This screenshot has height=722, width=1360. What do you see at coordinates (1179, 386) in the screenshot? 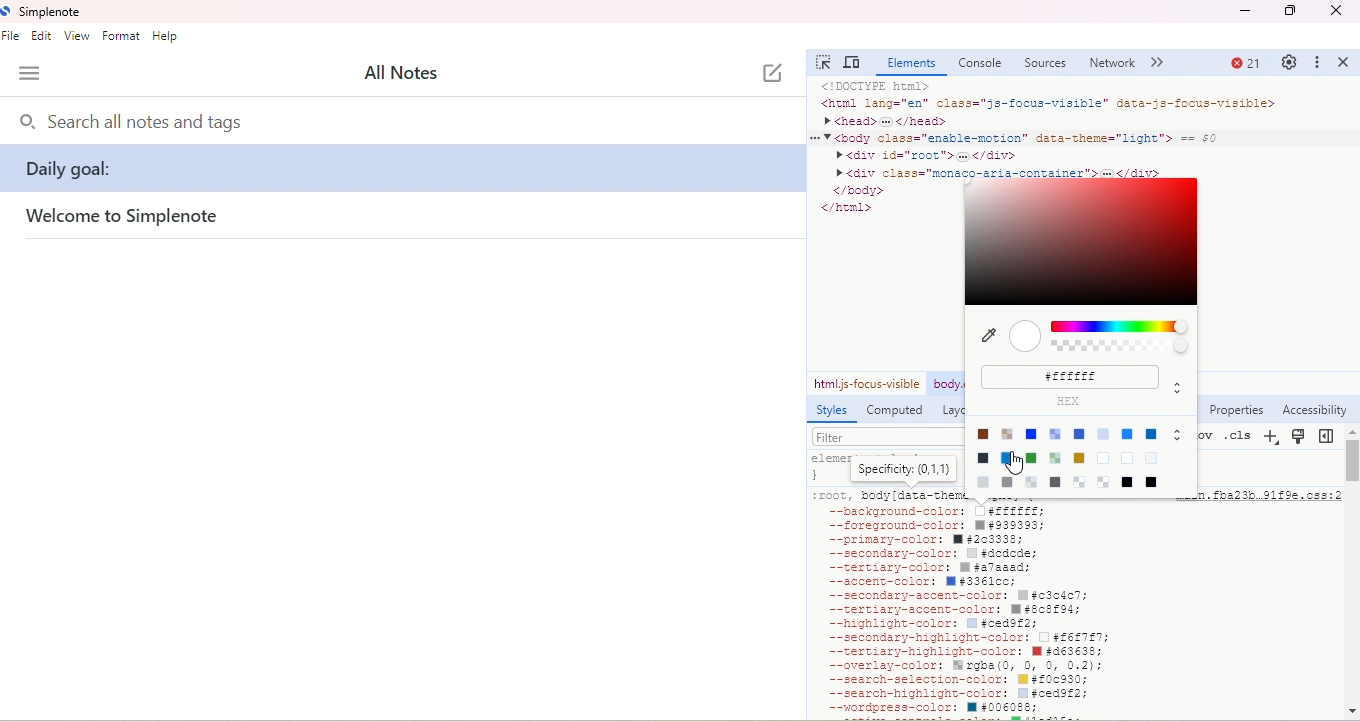
I see `move up/down` at bounding box center [1179, 386].